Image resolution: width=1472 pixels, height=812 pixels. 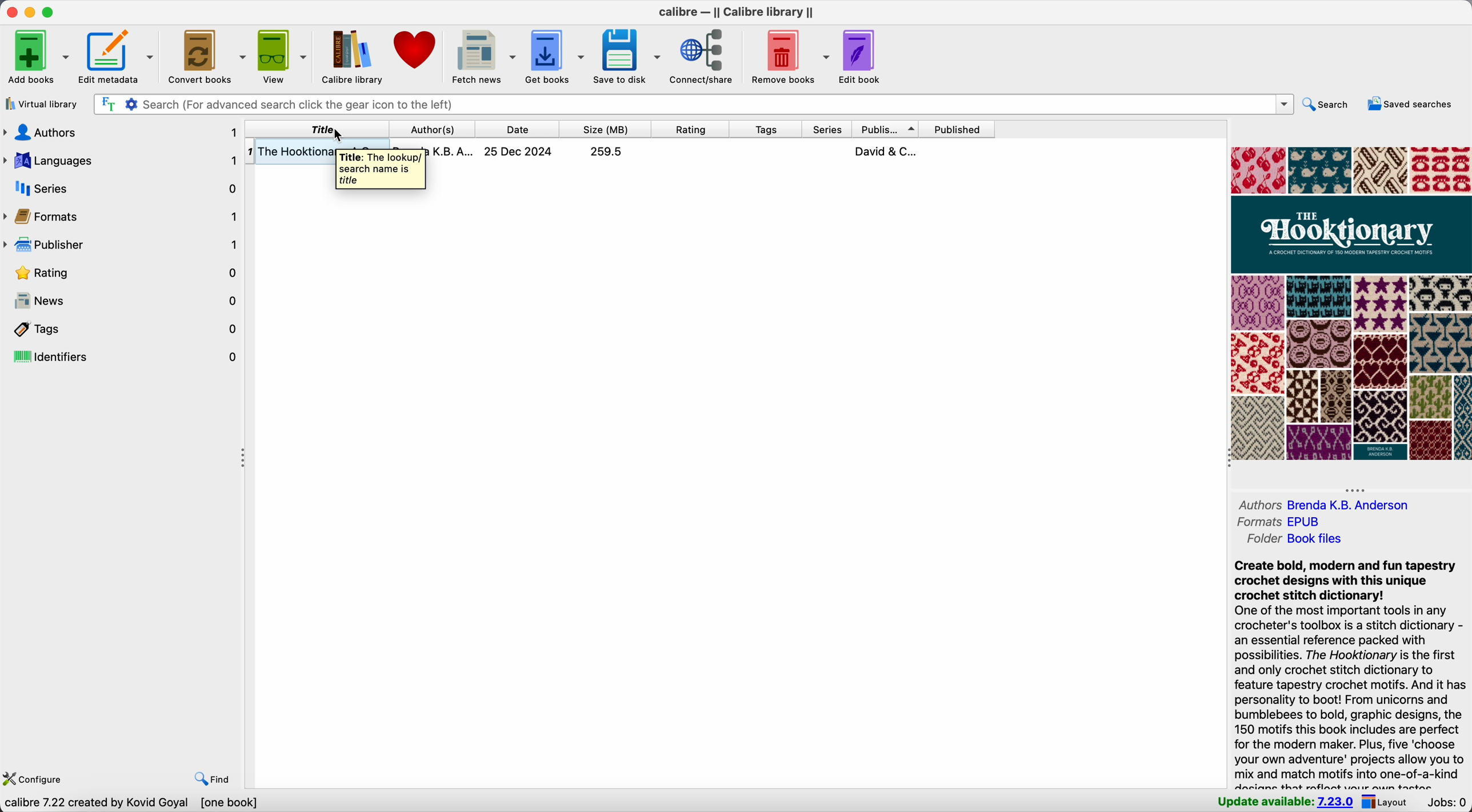 What do you see at coordinates (122, 188) in the screenshot?
I see `series` at bounding box center [122, 188].